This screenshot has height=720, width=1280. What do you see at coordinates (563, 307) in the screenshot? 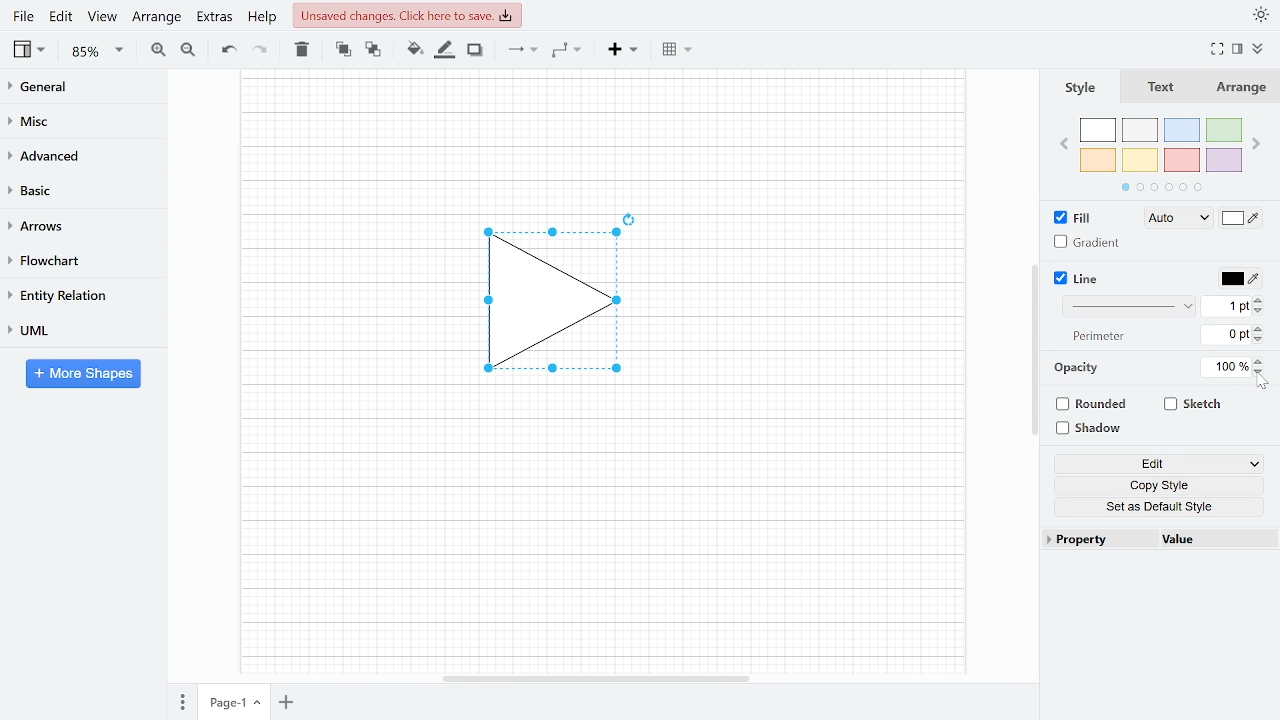
I see `Triangle` at bounding box center [563, 307].